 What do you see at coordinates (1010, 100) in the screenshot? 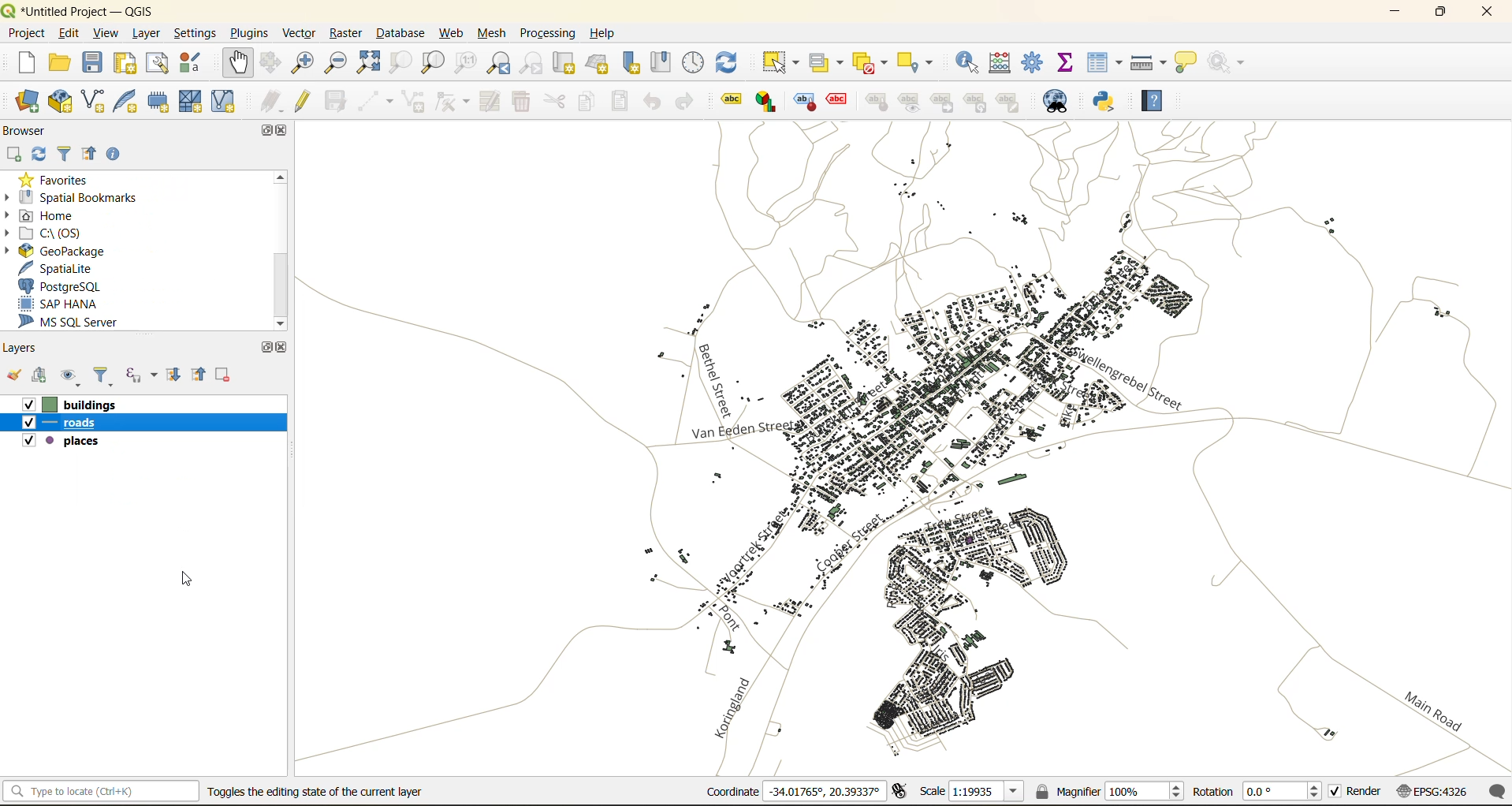
I see `change label properties` at bounding box center [1010, 100].